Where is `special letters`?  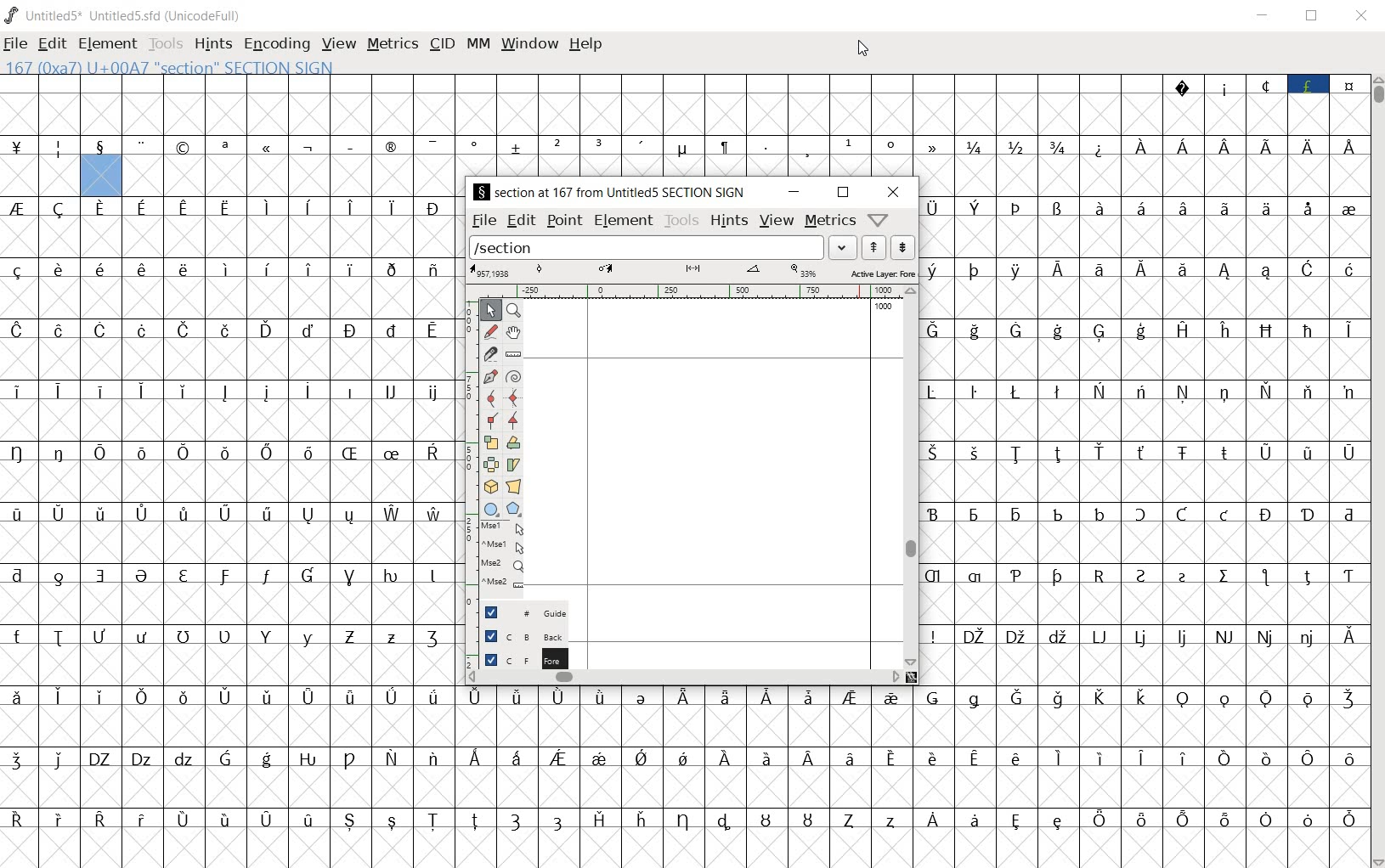 special letters is located at coordinates (1139, 206).